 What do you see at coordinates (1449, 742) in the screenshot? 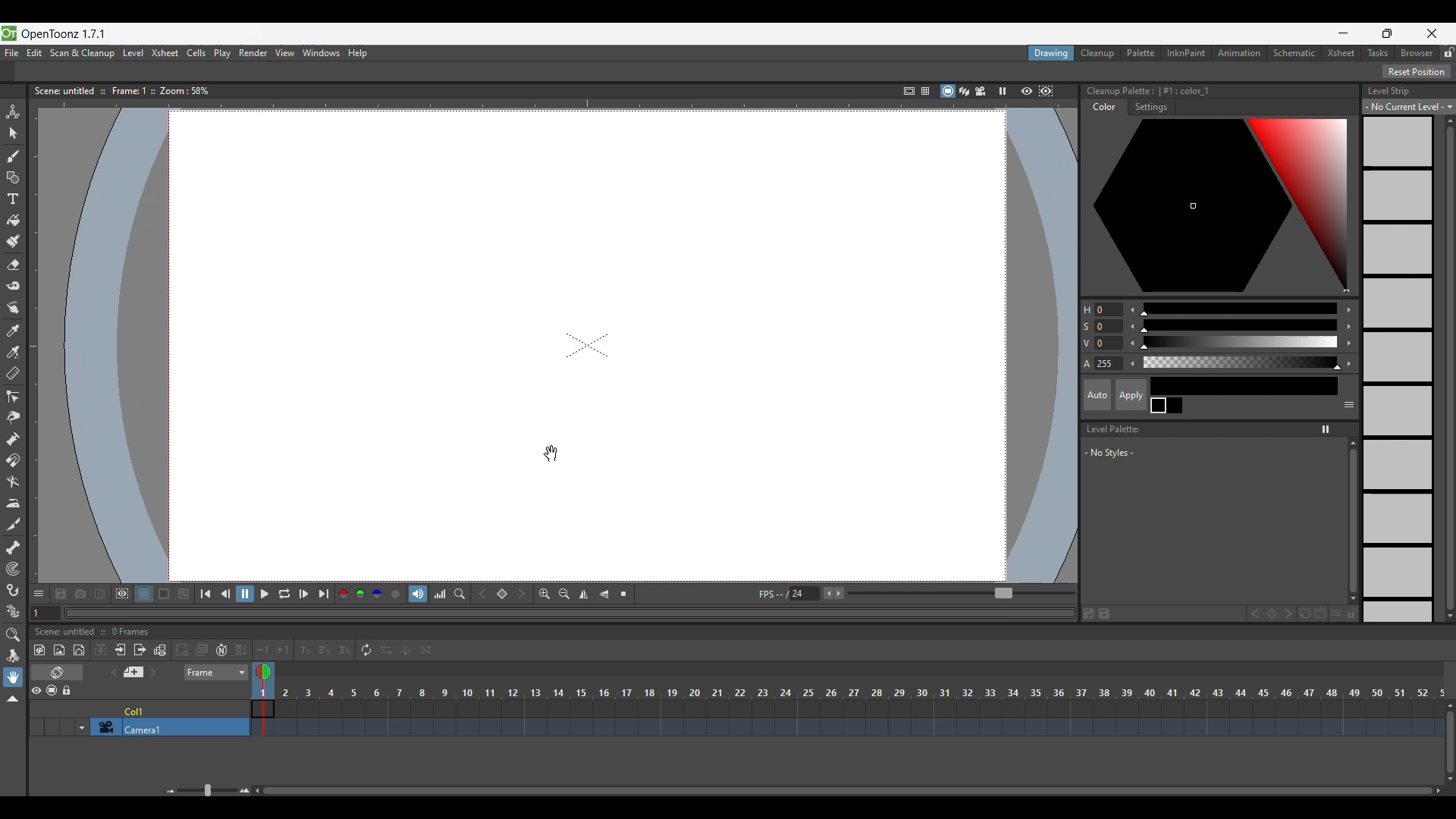
I see `Vertical slide bar` at bounding box center [1449, 742].